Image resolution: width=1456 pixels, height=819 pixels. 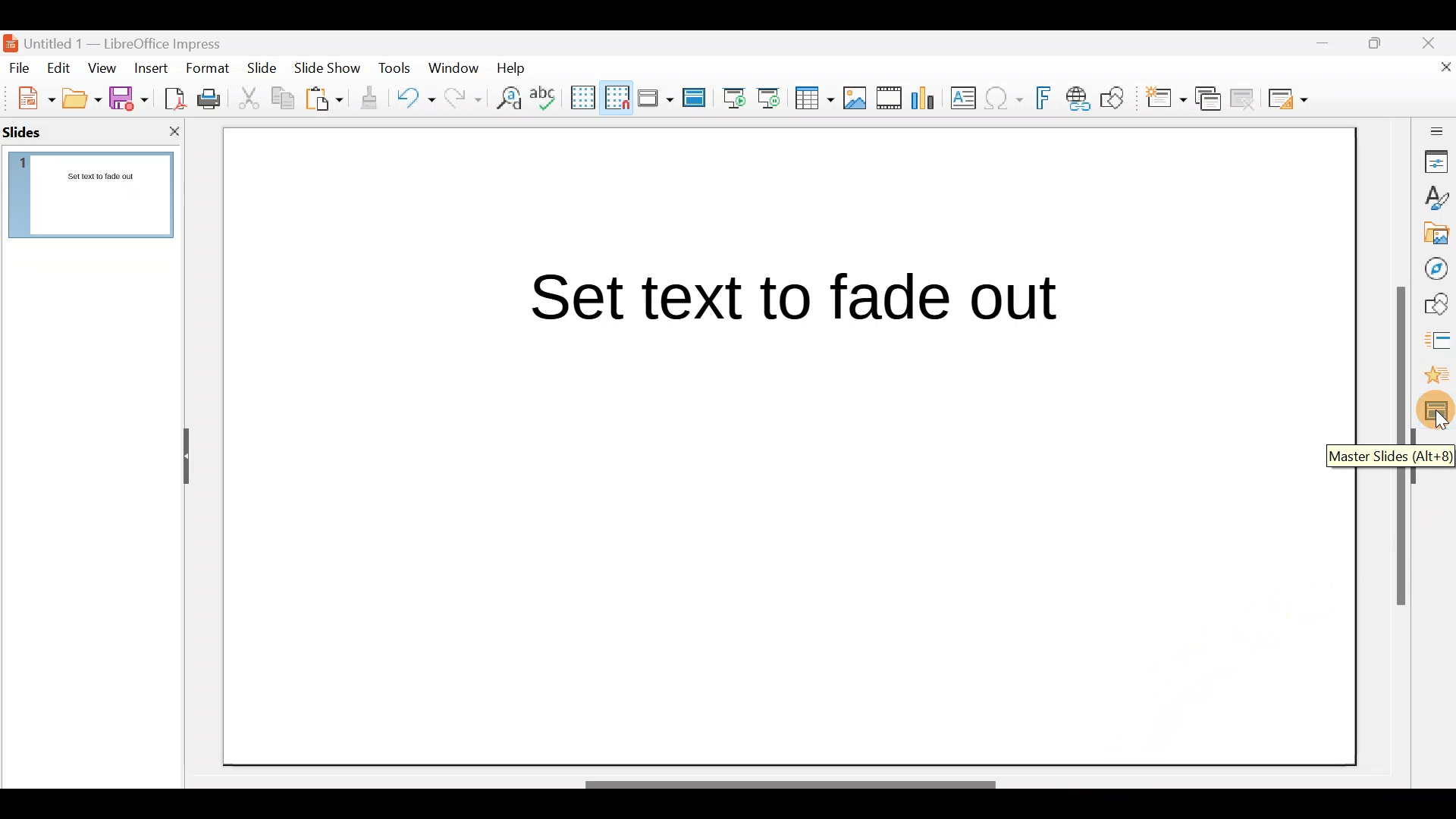 I want to click on Save, so click(x=128, y=97).